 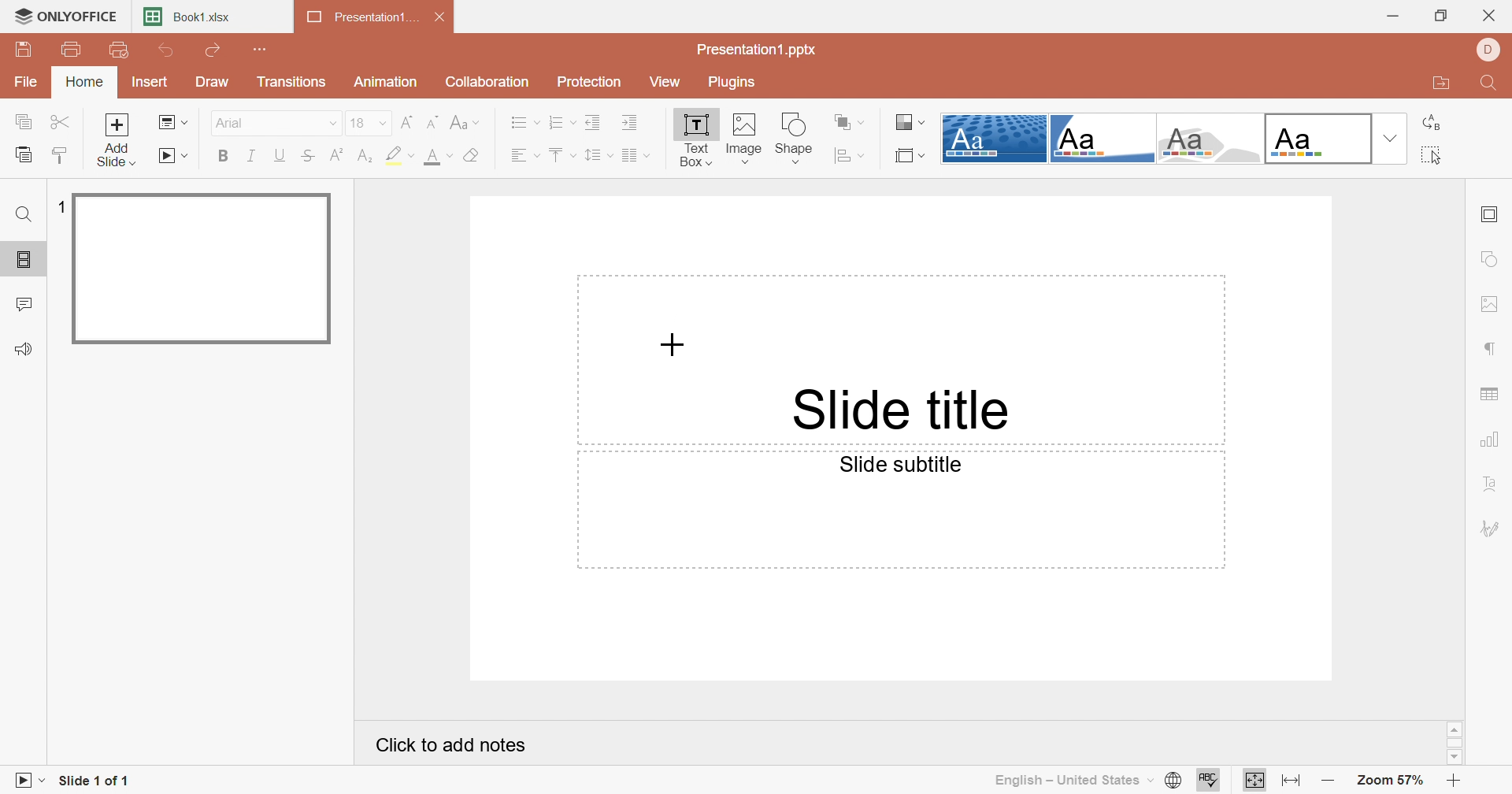 I want to click on Change case, so click(x=464, y=123).